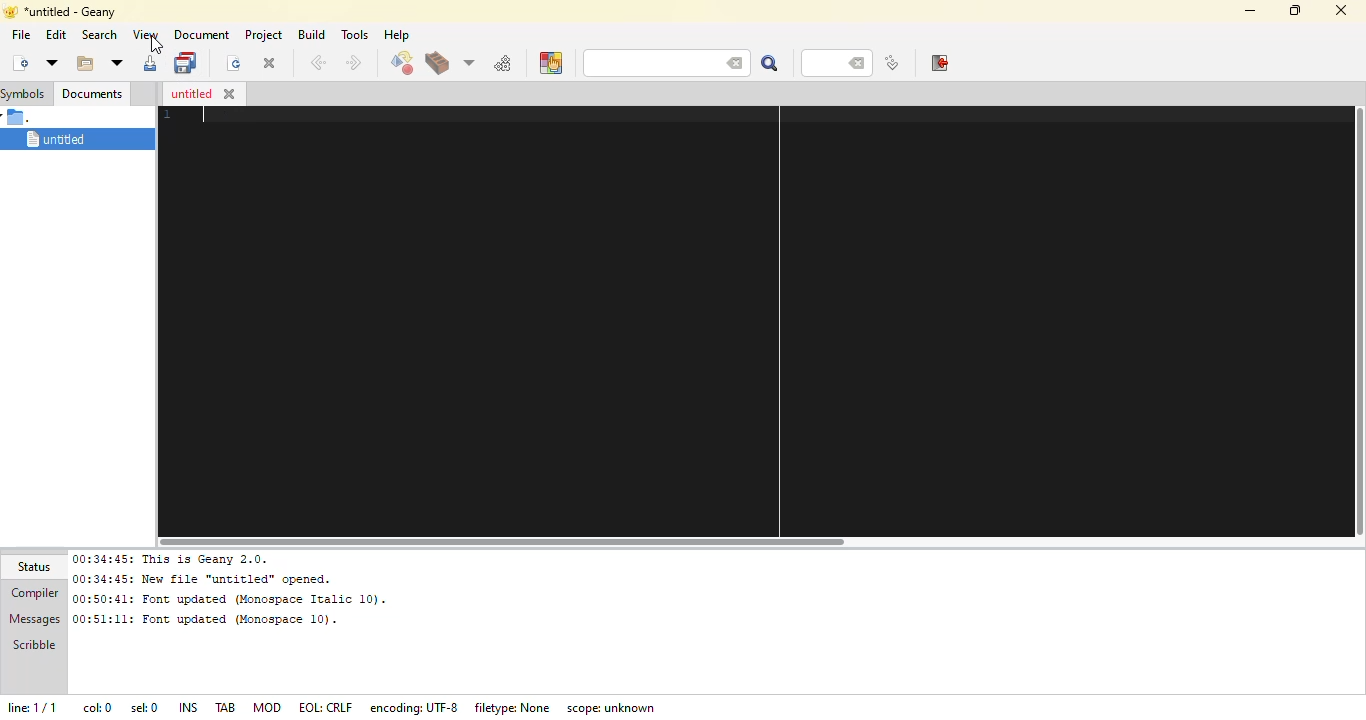  What do you see at coordinates (317, 63) in the screenshot?
I see `back` at bounding box center [317, 63].